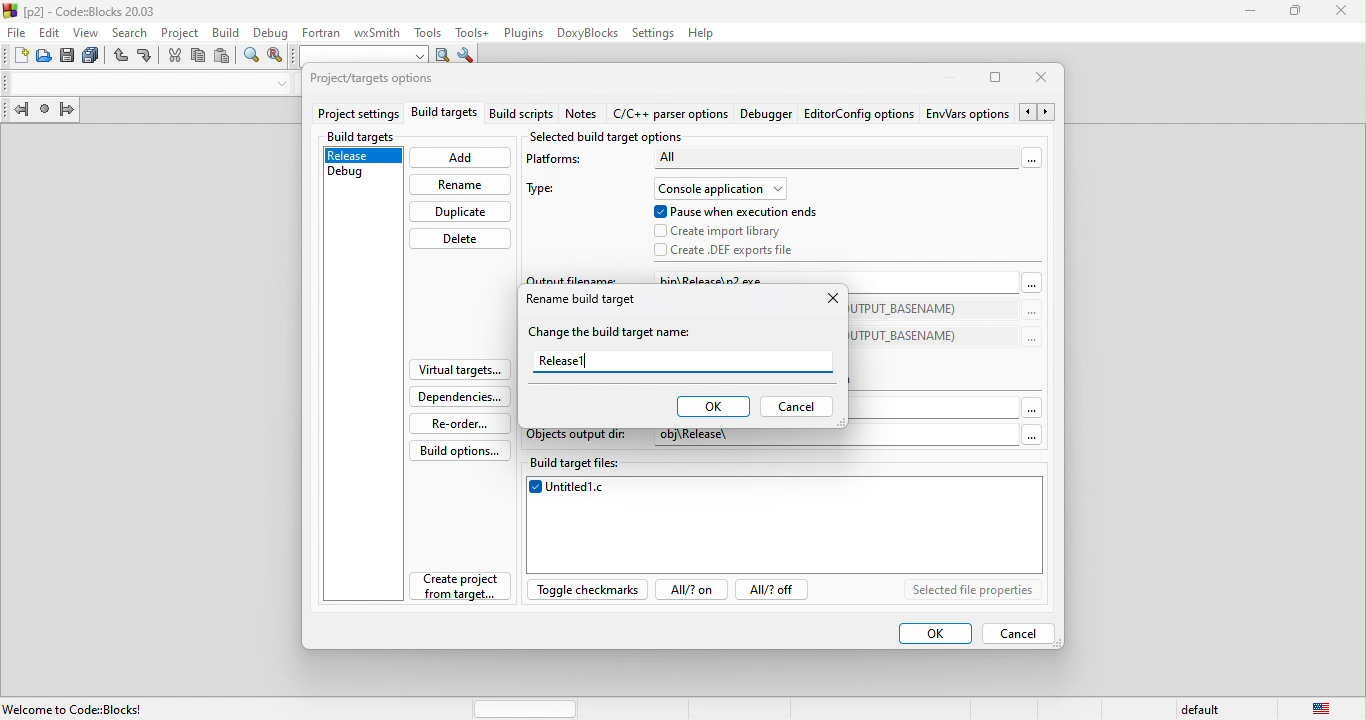  I want to click on close, so click(1047, 79).